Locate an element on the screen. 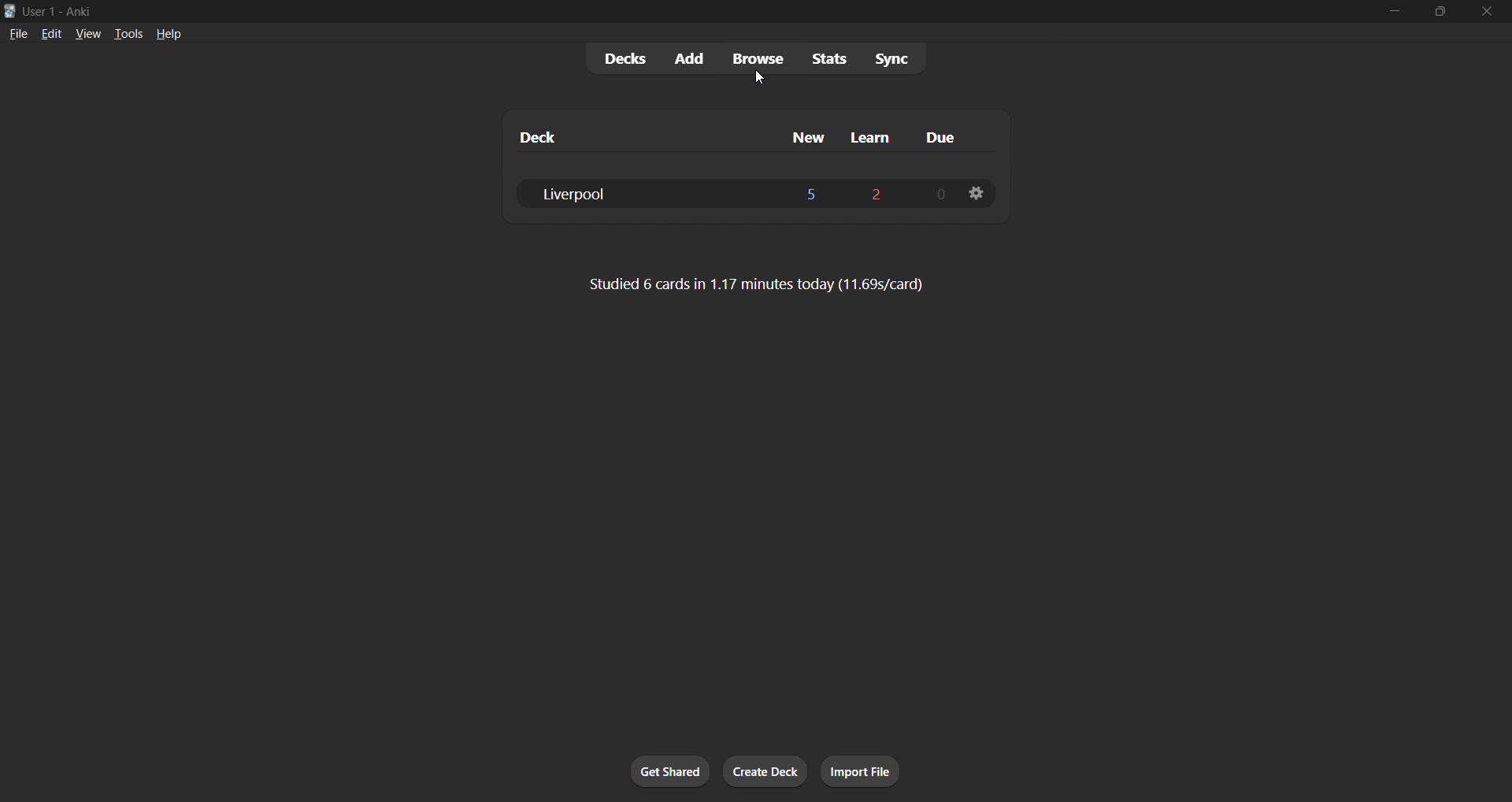  view is located at coordinates (86, 32).